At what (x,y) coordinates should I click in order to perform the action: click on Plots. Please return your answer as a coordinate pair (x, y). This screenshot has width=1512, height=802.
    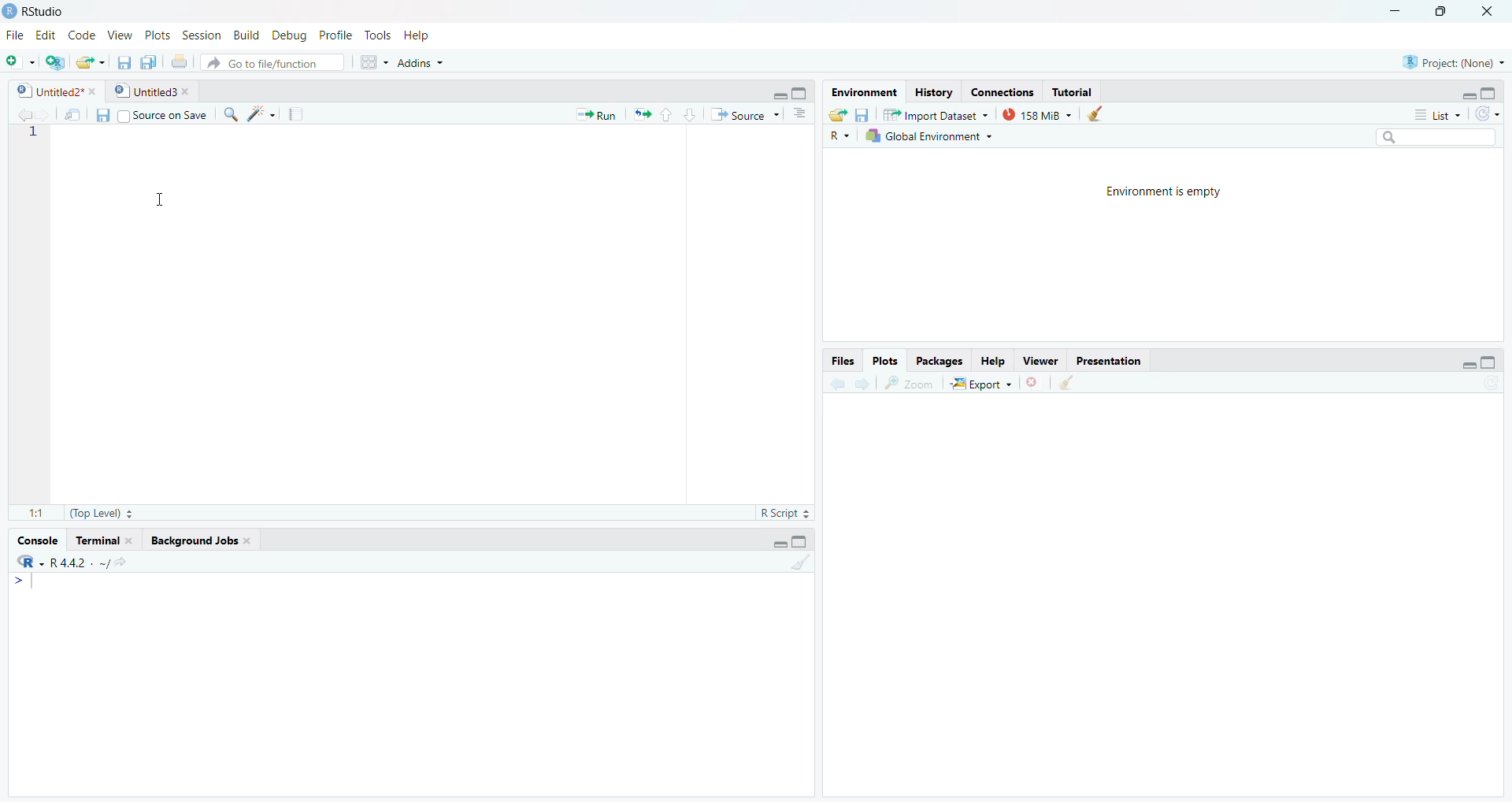
    Looking at the image, I should click on (157, 34).